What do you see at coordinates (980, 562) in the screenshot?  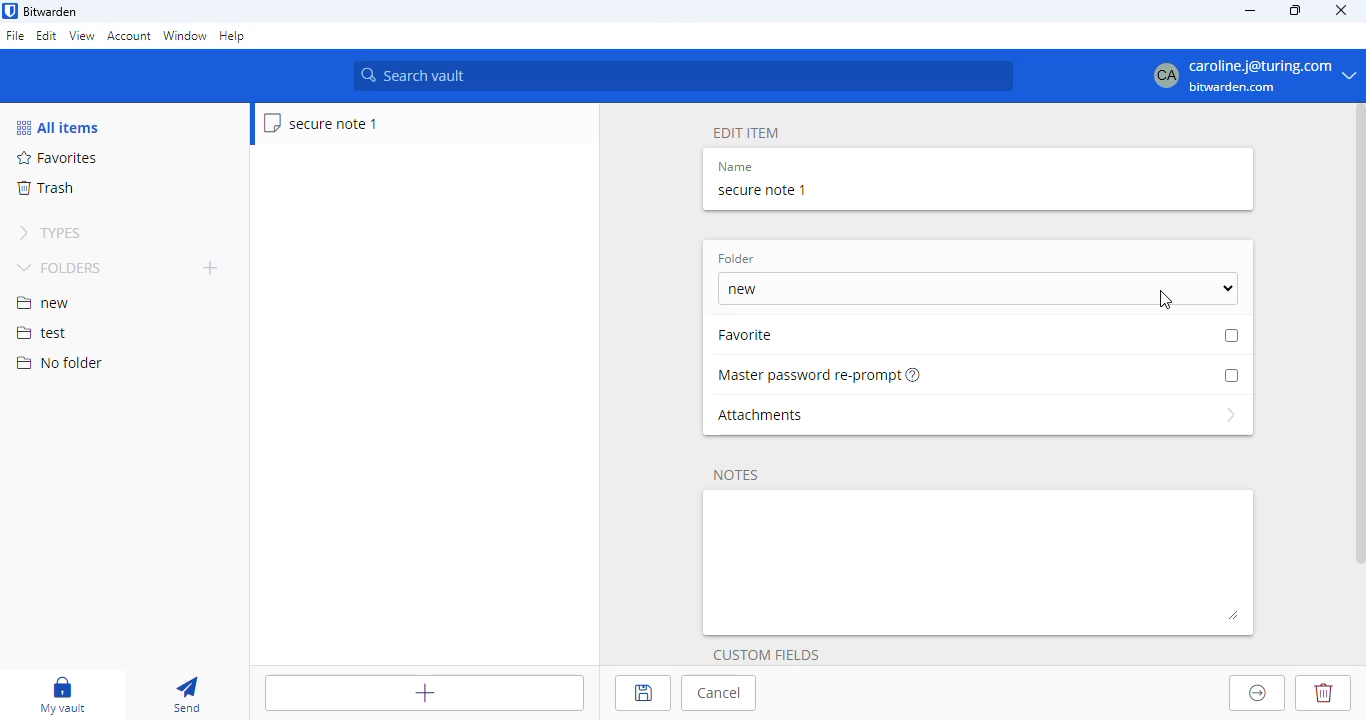 I see `notes` at bounding box center [980, 562].